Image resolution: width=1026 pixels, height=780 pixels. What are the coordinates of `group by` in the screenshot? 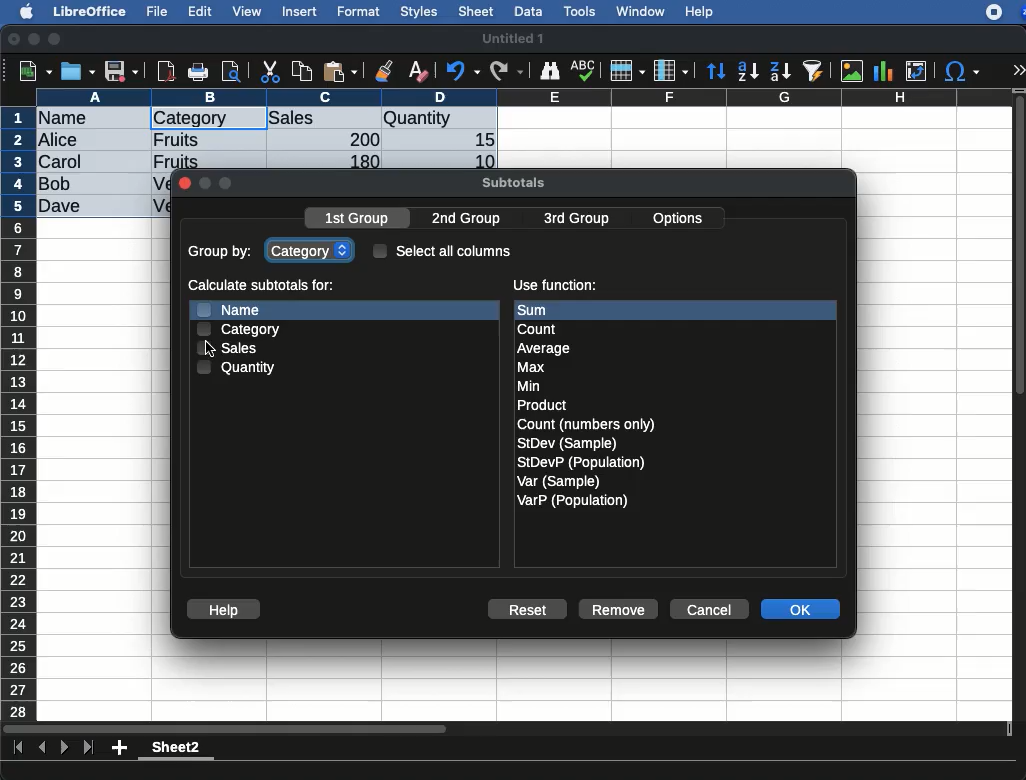 It's located at (222, 253).